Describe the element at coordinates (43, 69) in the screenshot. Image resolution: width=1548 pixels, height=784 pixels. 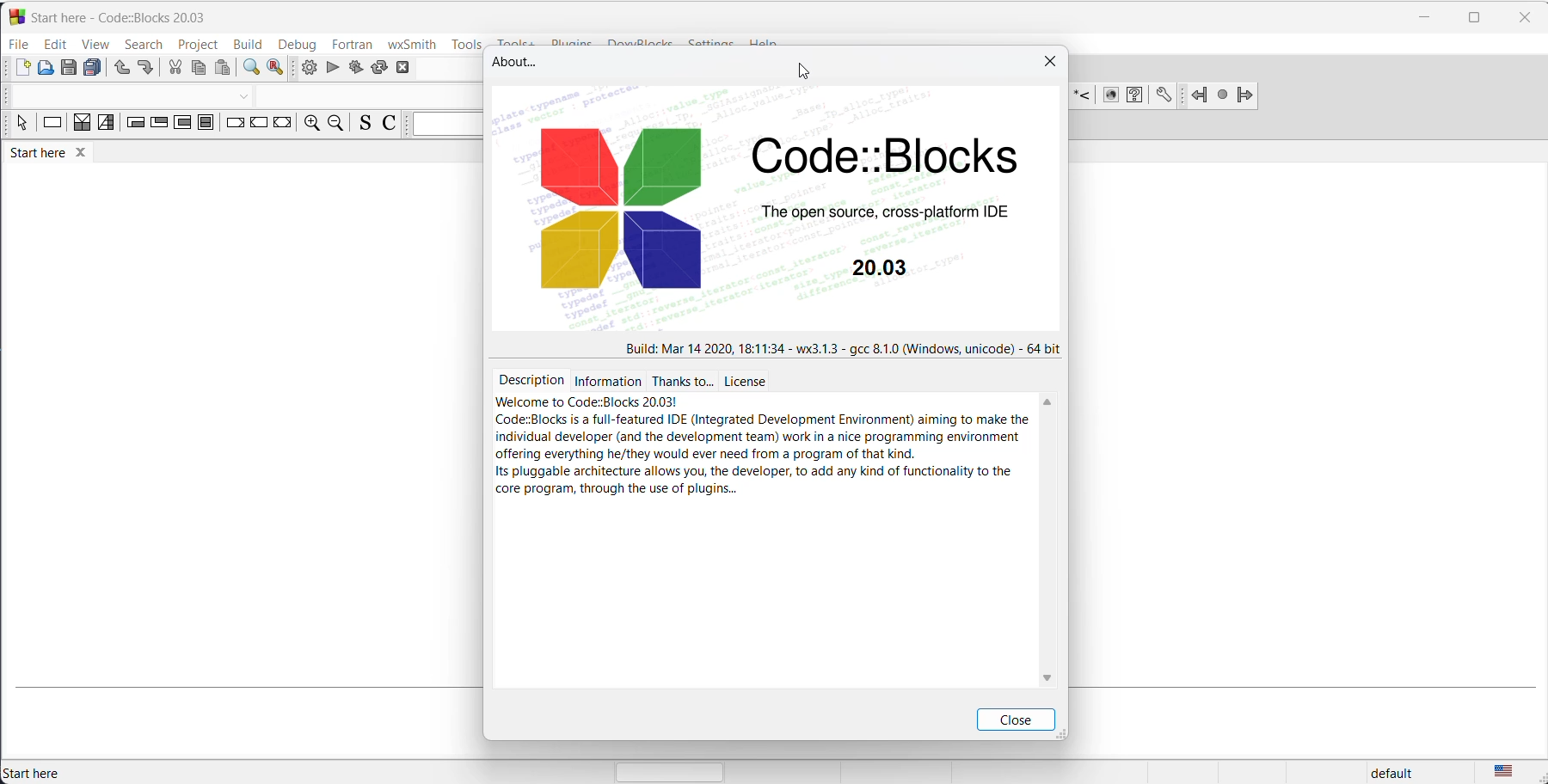
I see `open` at that location.